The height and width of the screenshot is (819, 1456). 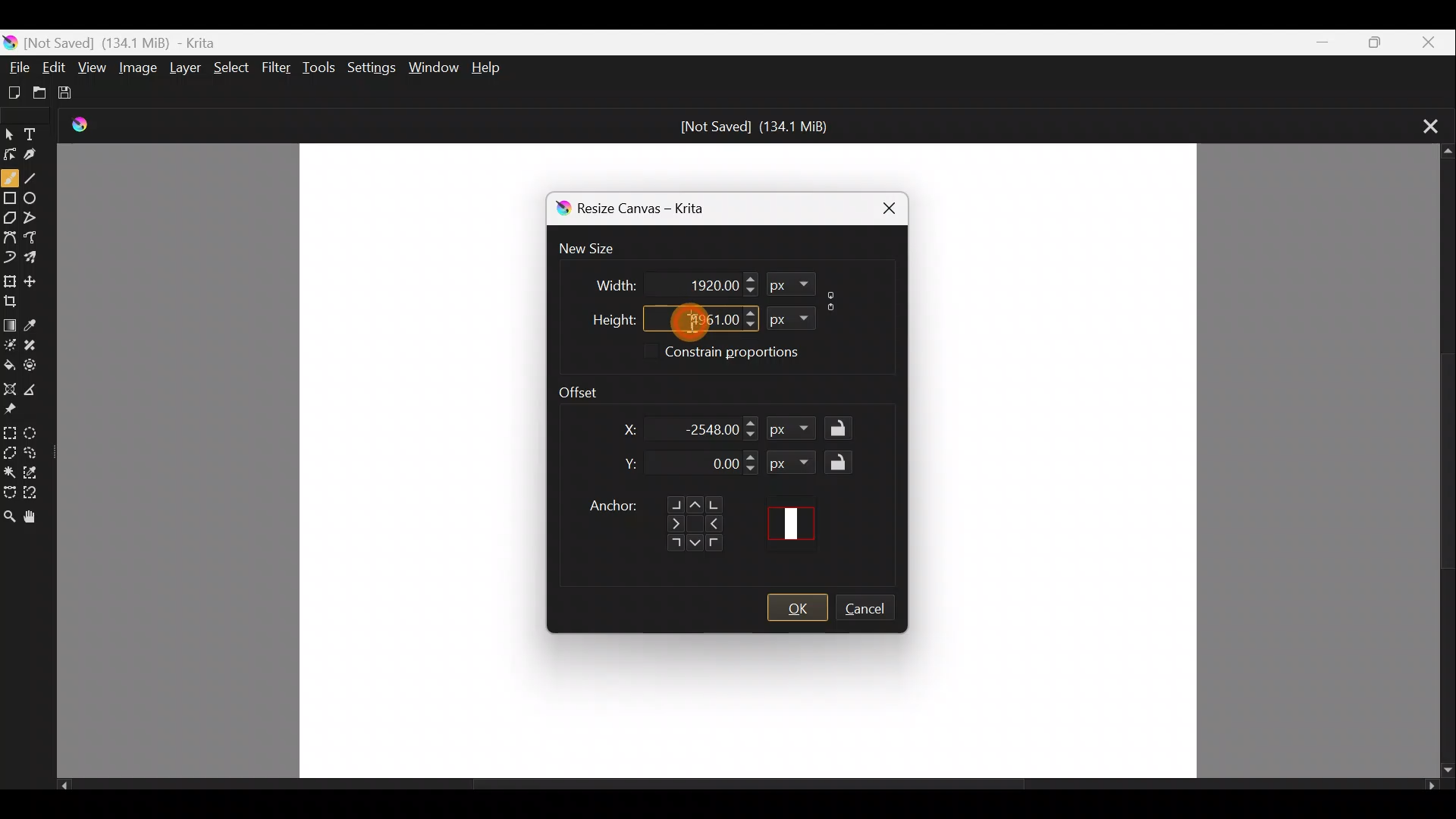 I want to click on Close, so click(x=1428, y=42).